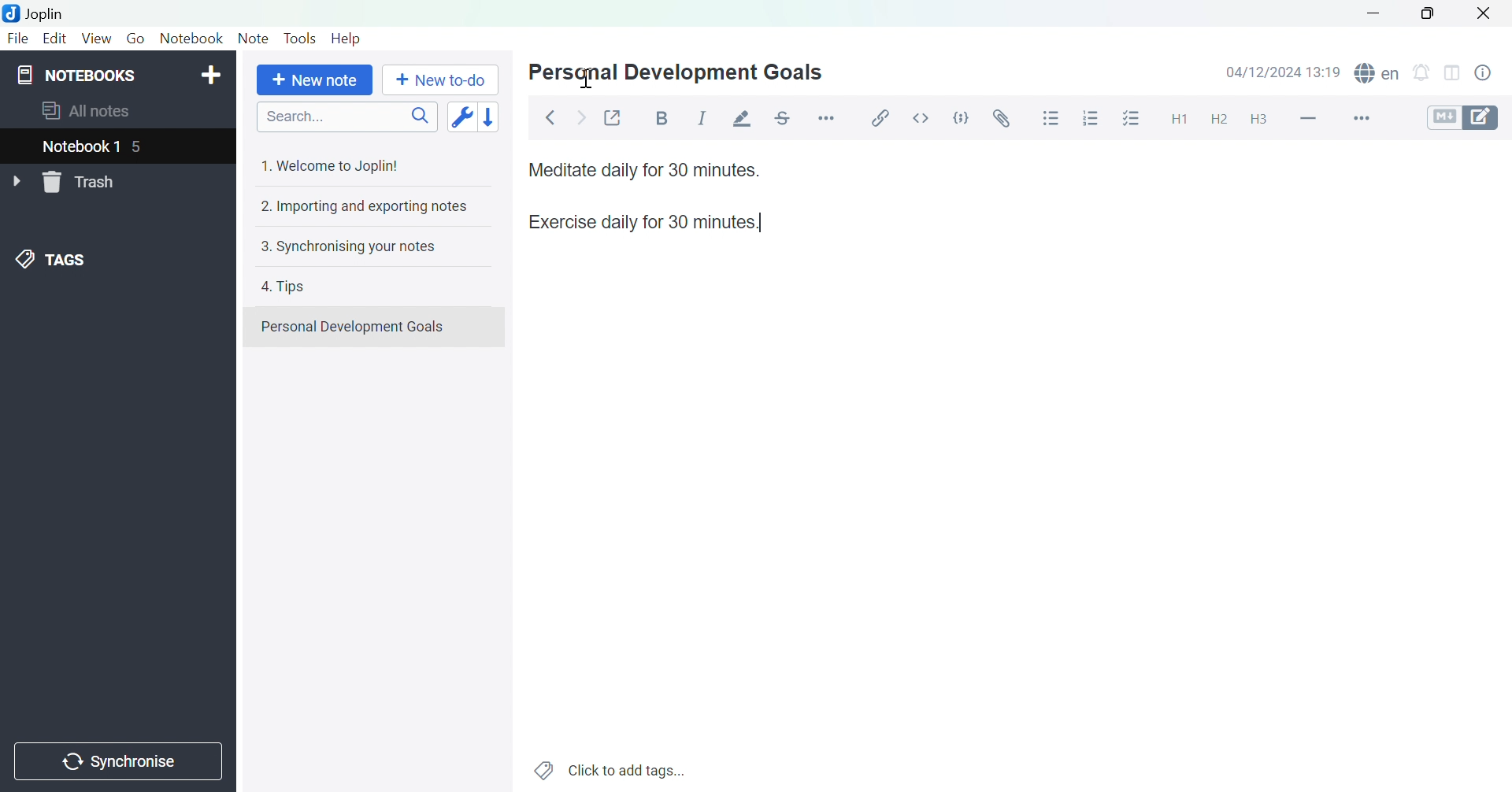  Describe the element at coordinates (1180, 120) in the screenshot. I see `Heading 1` at that location.